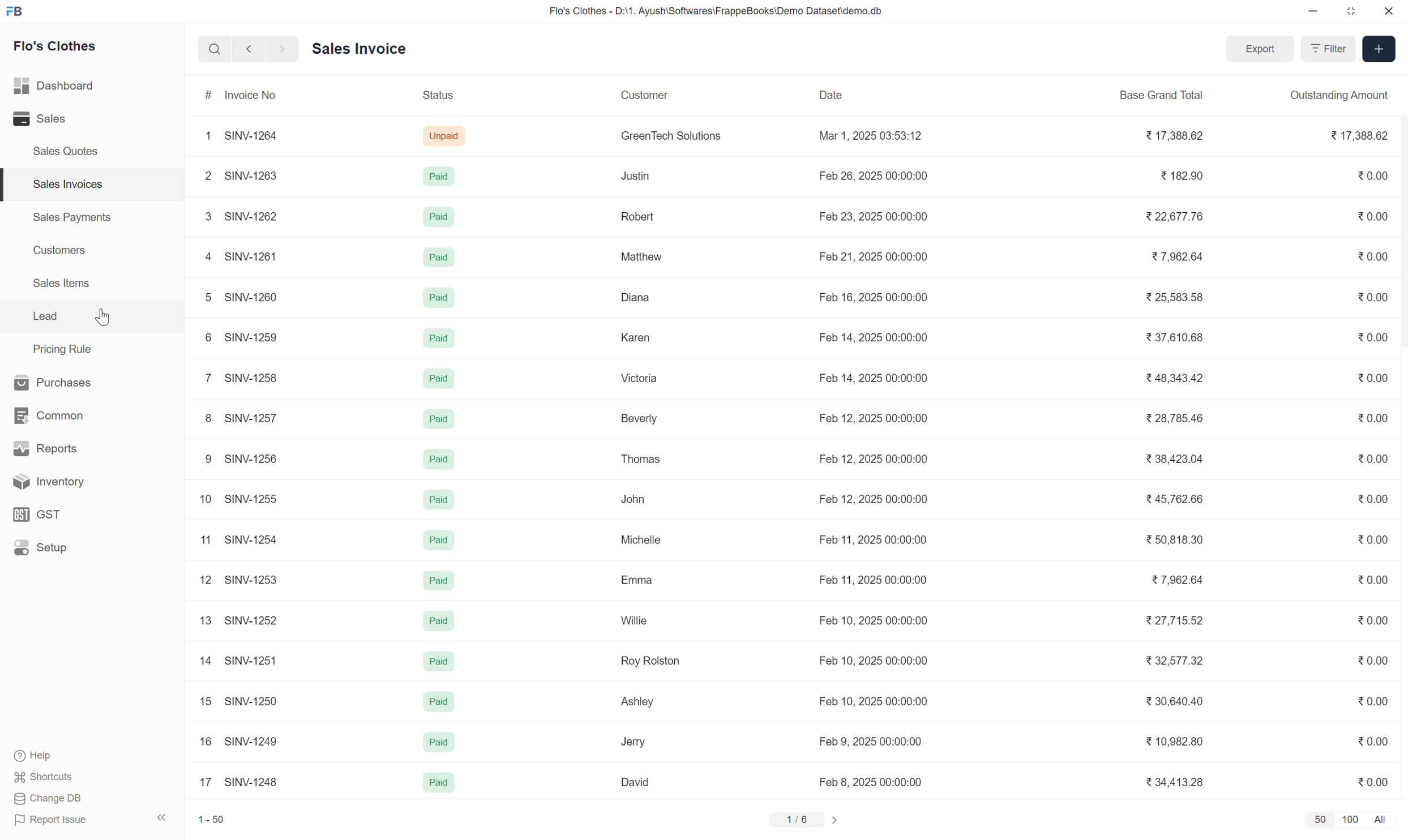  I want to click on 0.00, so click(1370, 458).